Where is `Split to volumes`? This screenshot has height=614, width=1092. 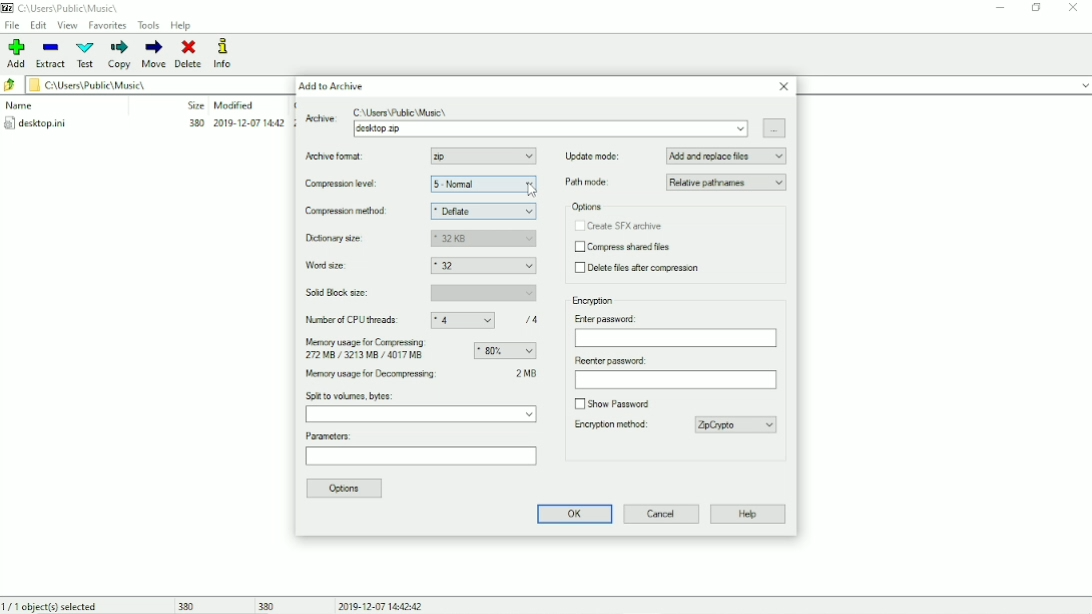 Split to volumes is located at coordinates (422, 408).